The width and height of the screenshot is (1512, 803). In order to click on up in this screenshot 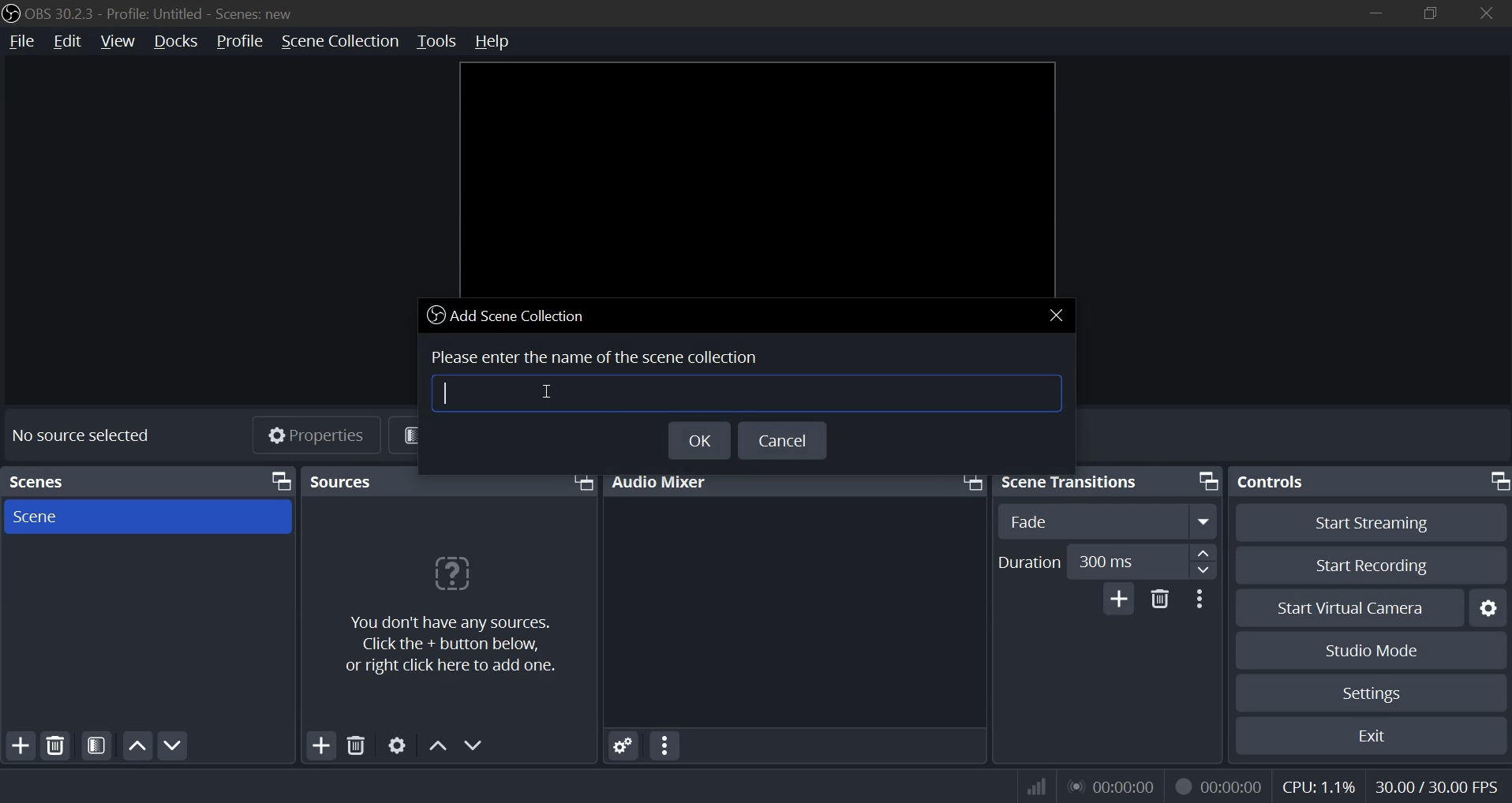, I will do `click(1202, 552)`.